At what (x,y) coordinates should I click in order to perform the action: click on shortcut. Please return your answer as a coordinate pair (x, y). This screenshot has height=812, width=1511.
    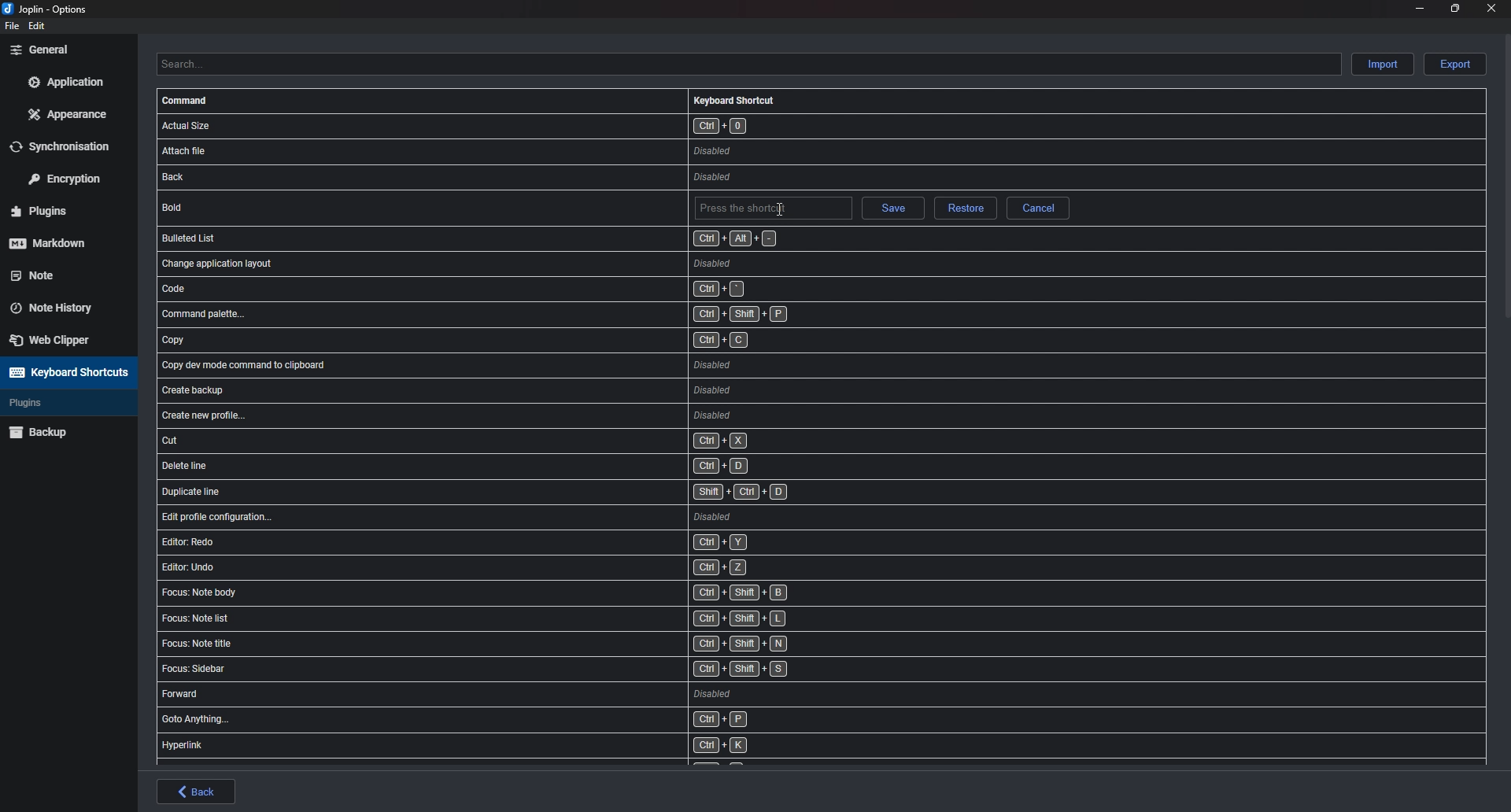
    Looking at the image, I should click on (526, 542).